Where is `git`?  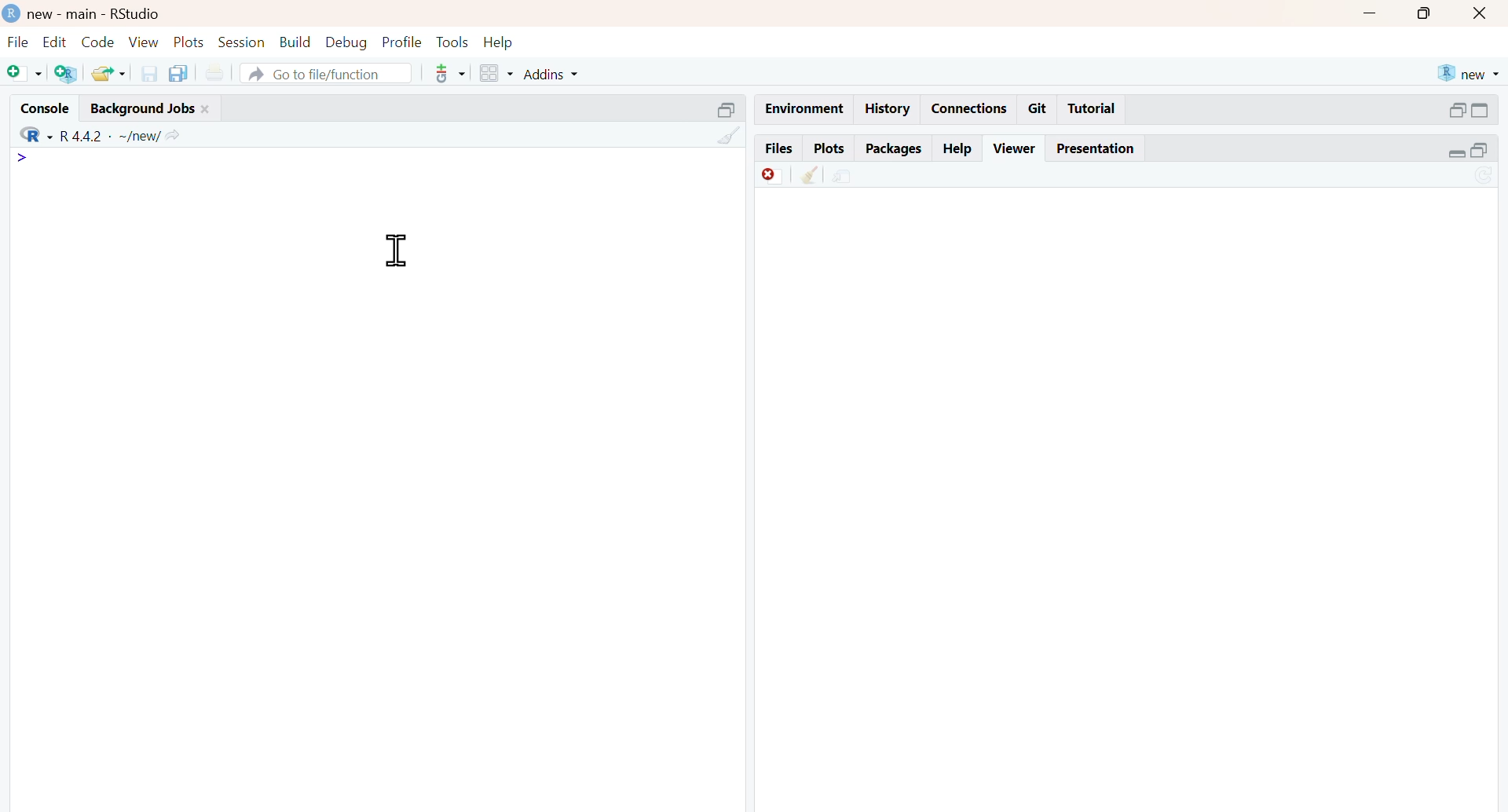
git is located at coordinates (1038, 108).